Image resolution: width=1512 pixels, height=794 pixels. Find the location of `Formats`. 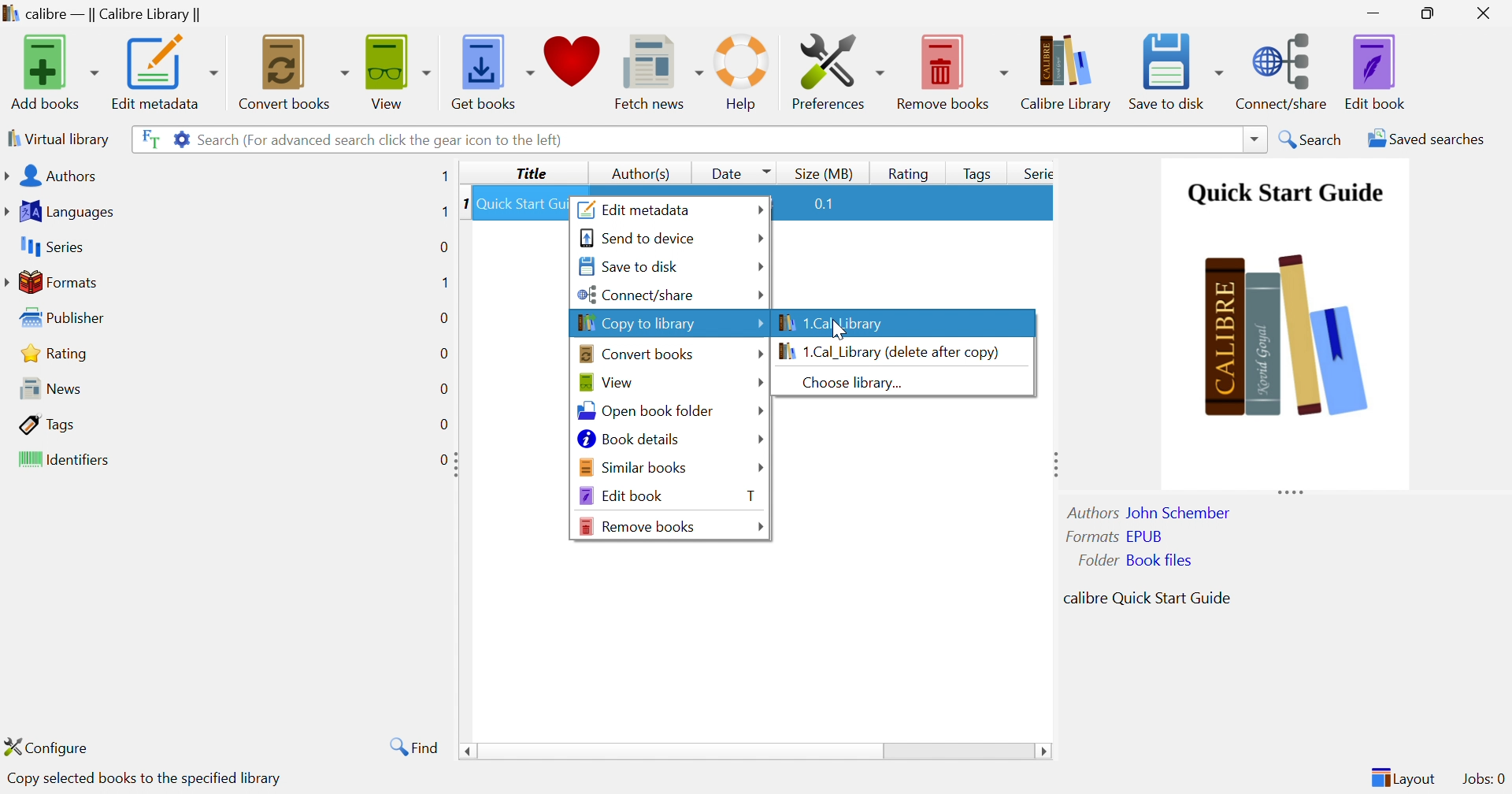

Formats is located at coordinates (52, 280).